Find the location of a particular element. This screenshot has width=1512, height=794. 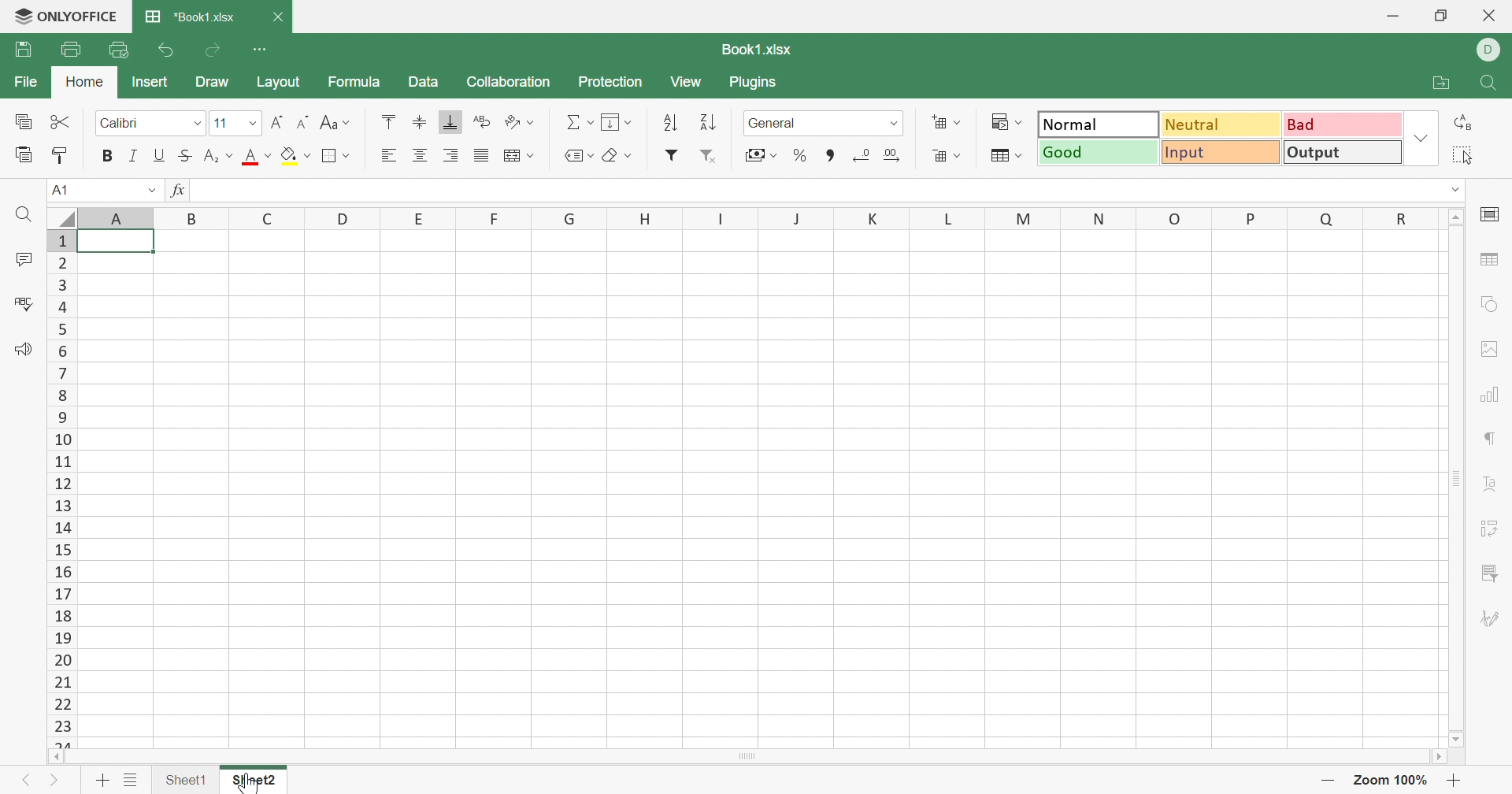

Conditional formatting is located at coordinates (997, 121).